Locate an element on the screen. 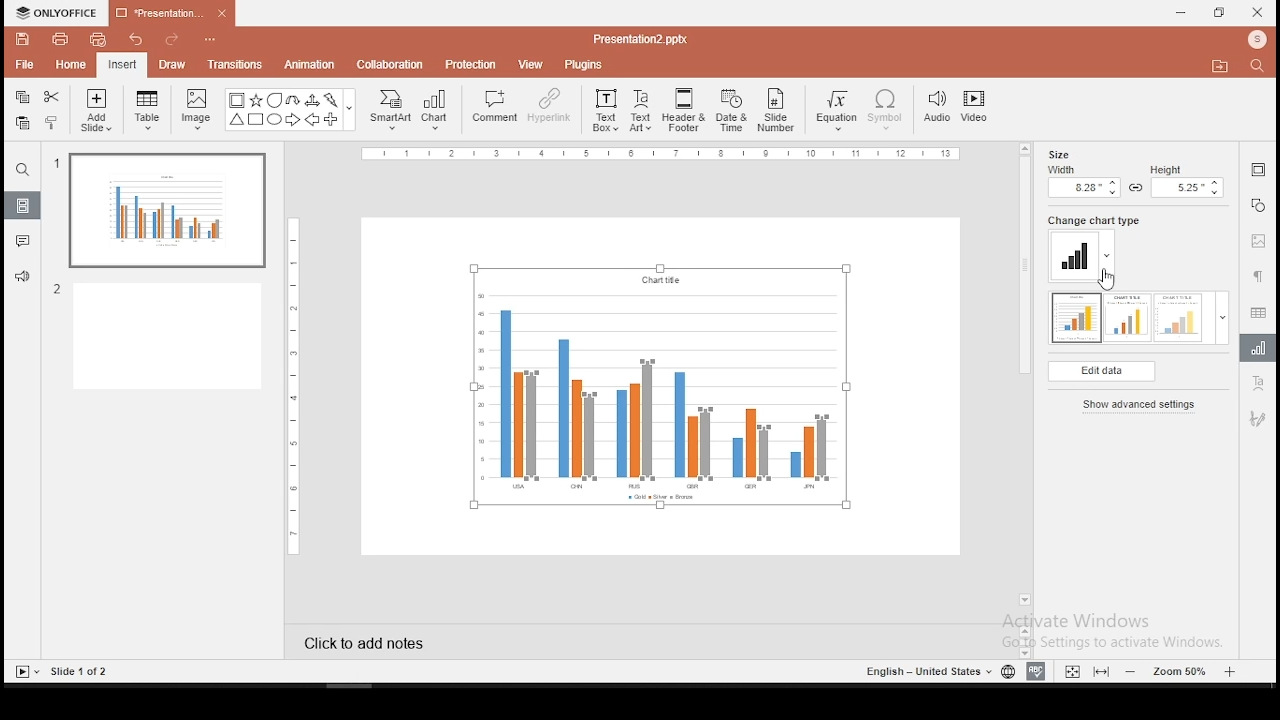 This screenshot has width=1280, height=720. table is located at coordinates (150, 112).